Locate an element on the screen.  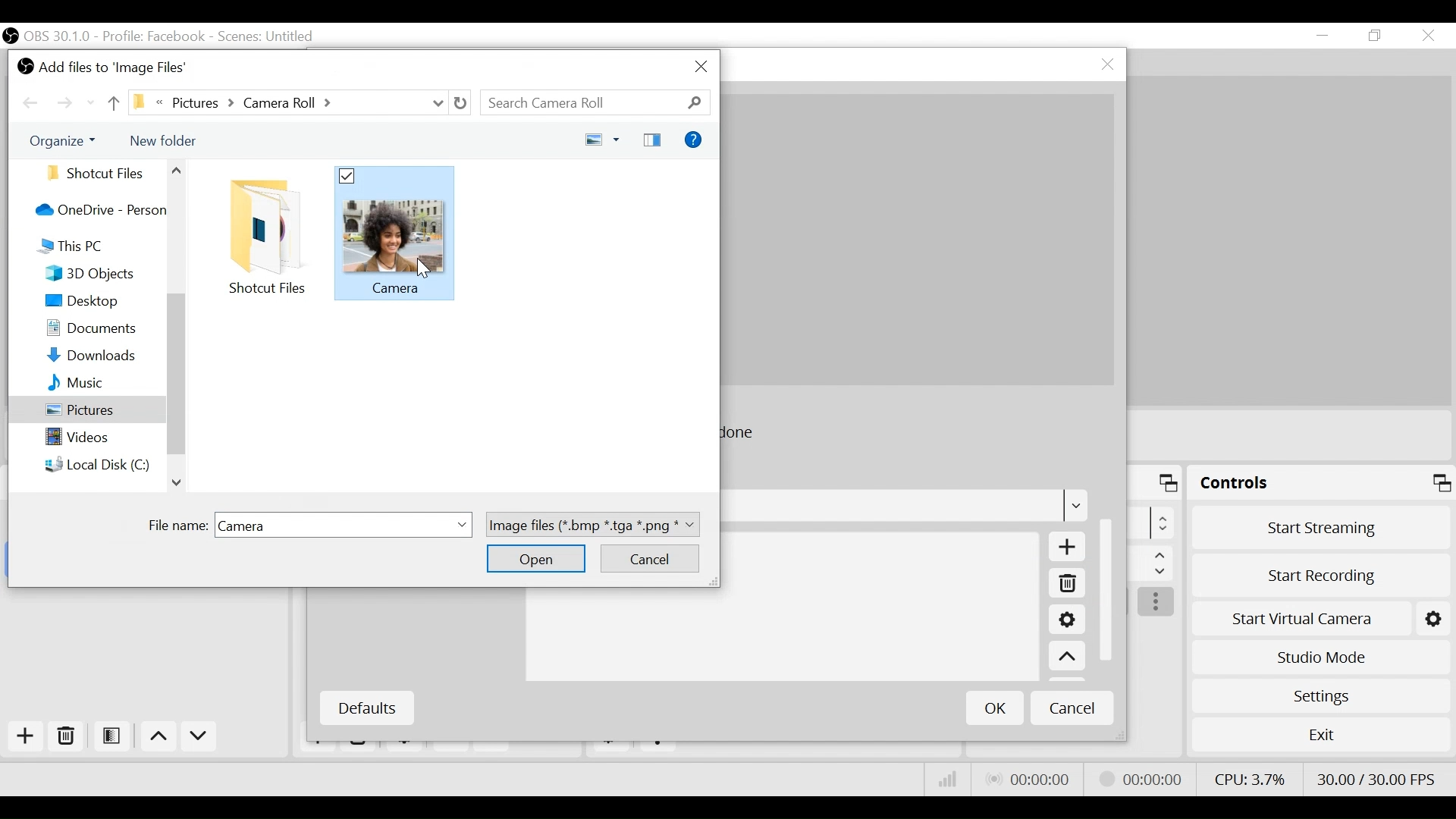
Help is located at coordinates (695, 139).